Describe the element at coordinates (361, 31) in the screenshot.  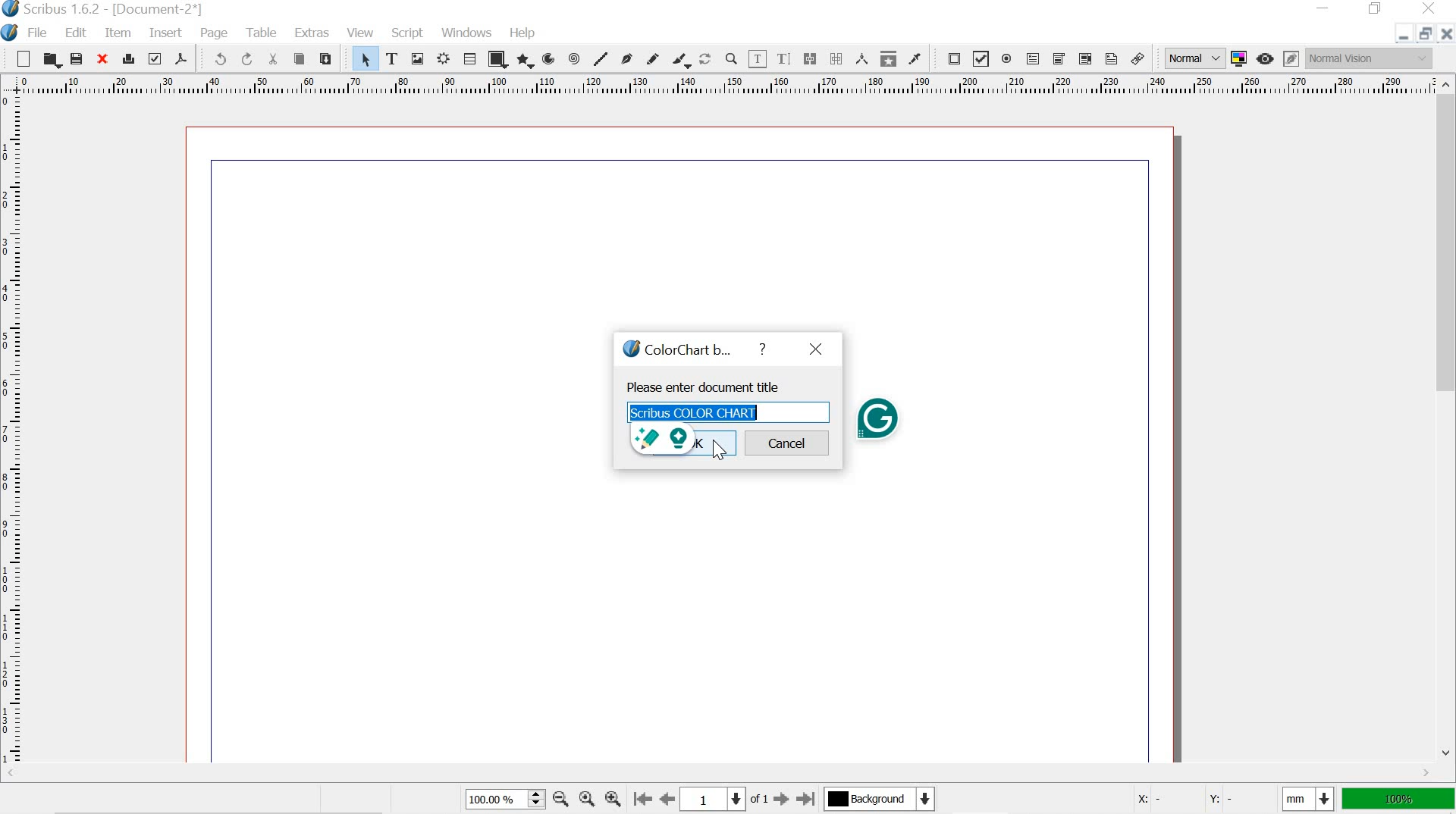
I see `view` at that location.